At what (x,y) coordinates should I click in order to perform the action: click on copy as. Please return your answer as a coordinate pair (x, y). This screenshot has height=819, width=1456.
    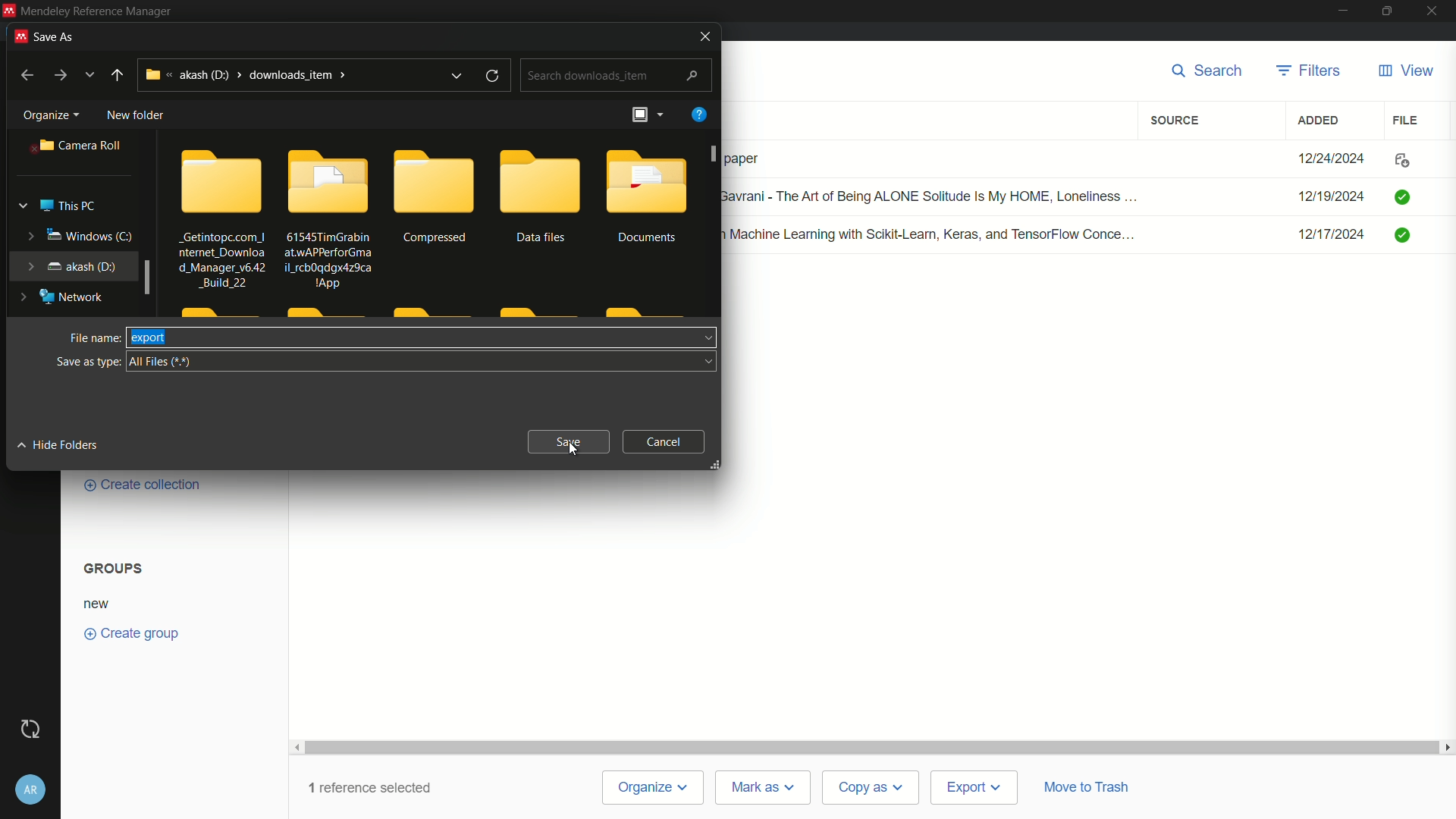
    Looking at the image, I should click on (871, 789).